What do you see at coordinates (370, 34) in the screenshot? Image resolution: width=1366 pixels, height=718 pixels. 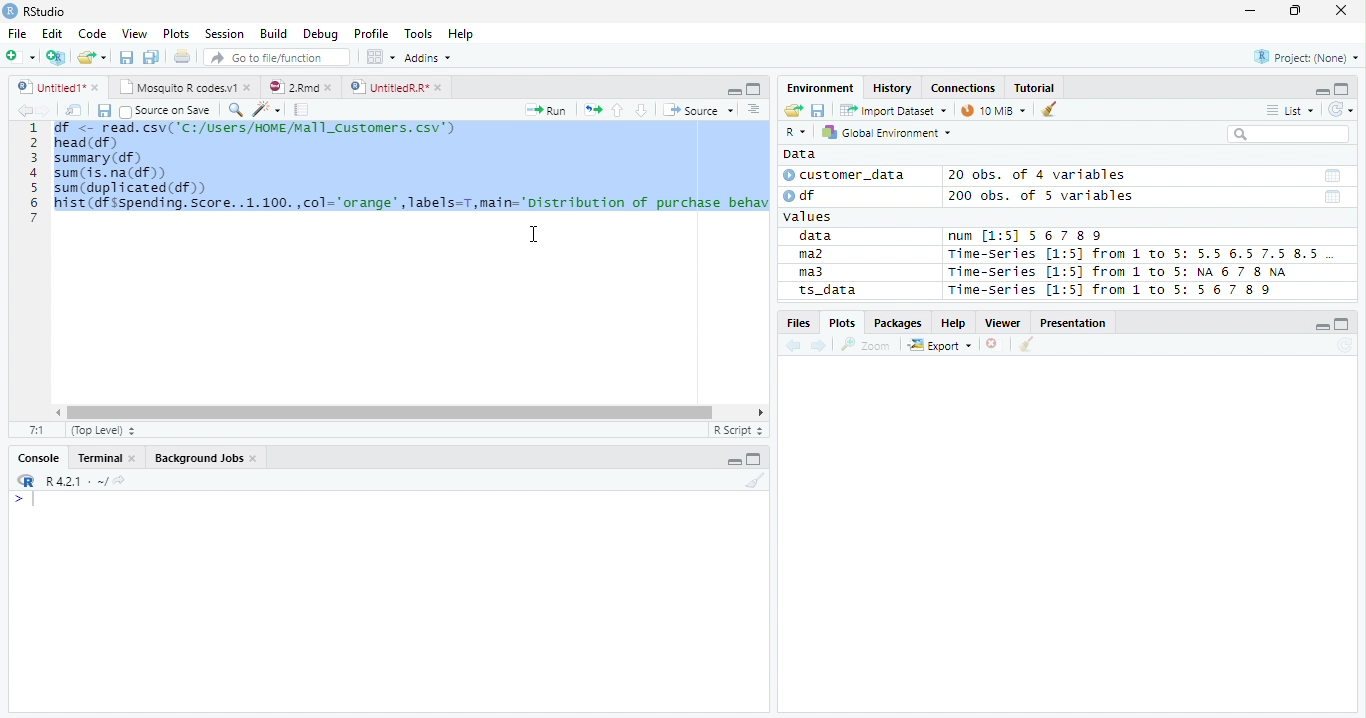 I see `Profile` at bounding box center [370, 34].